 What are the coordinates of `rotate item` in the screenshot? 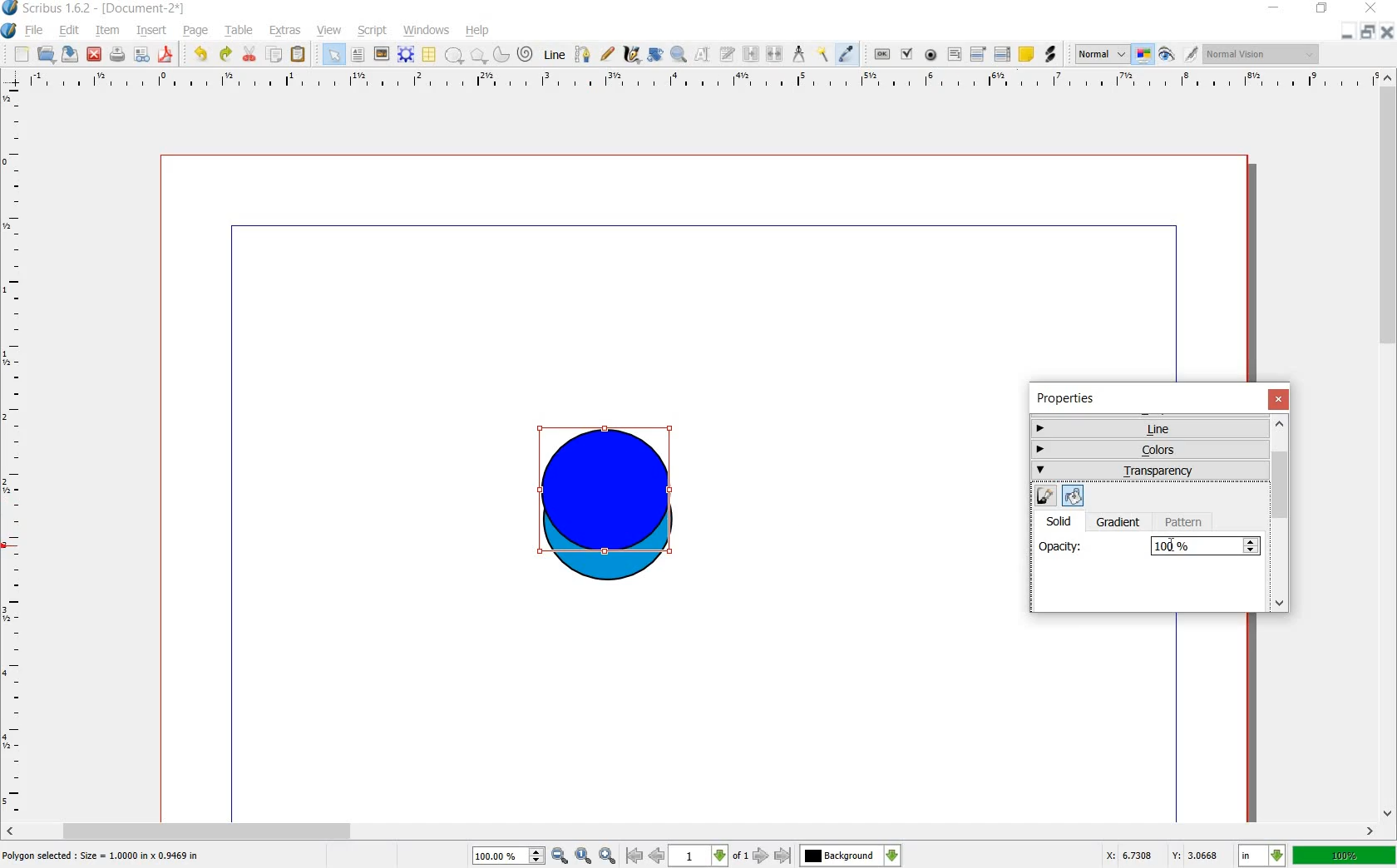 It's located at (655, 55).